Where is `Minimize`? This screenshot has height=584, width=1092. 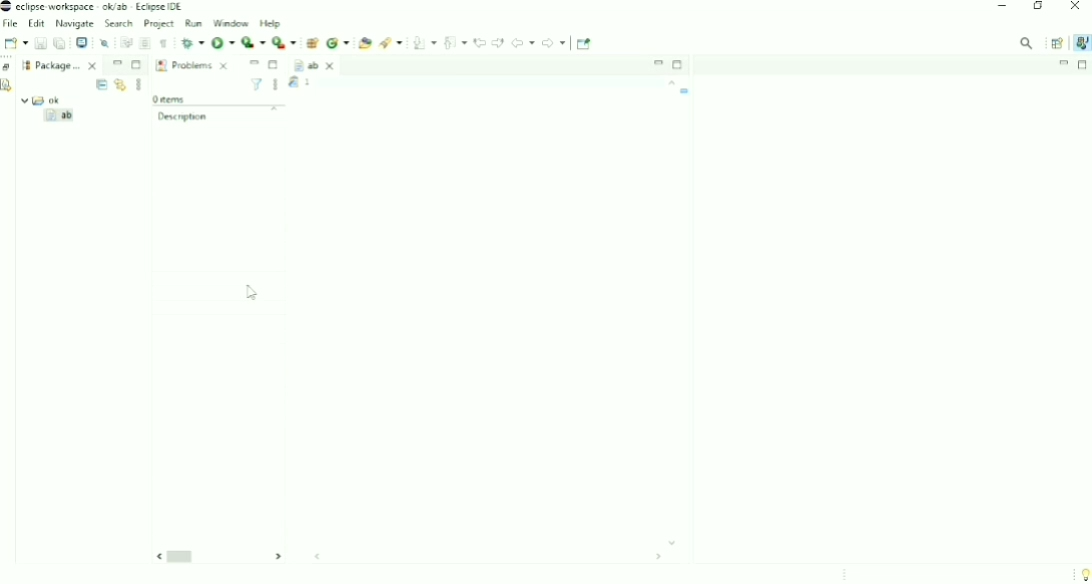 Minimize is located at coordinates (254, 63).